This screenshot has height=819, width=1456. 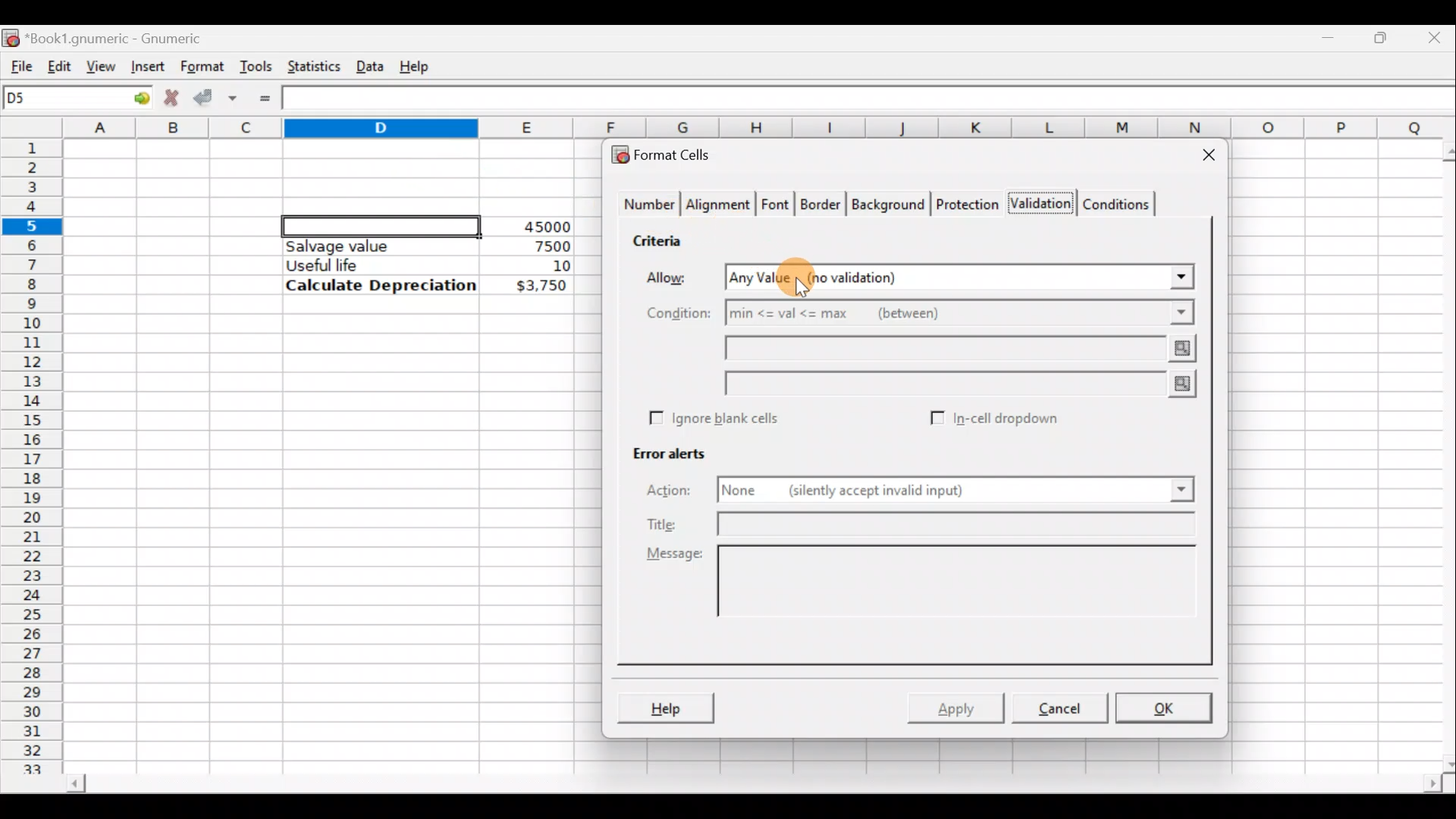 What do you see at coordinates (1180, 275) in the screenshot?
I see `Allow drop down` at bounding box center [1180, 275].